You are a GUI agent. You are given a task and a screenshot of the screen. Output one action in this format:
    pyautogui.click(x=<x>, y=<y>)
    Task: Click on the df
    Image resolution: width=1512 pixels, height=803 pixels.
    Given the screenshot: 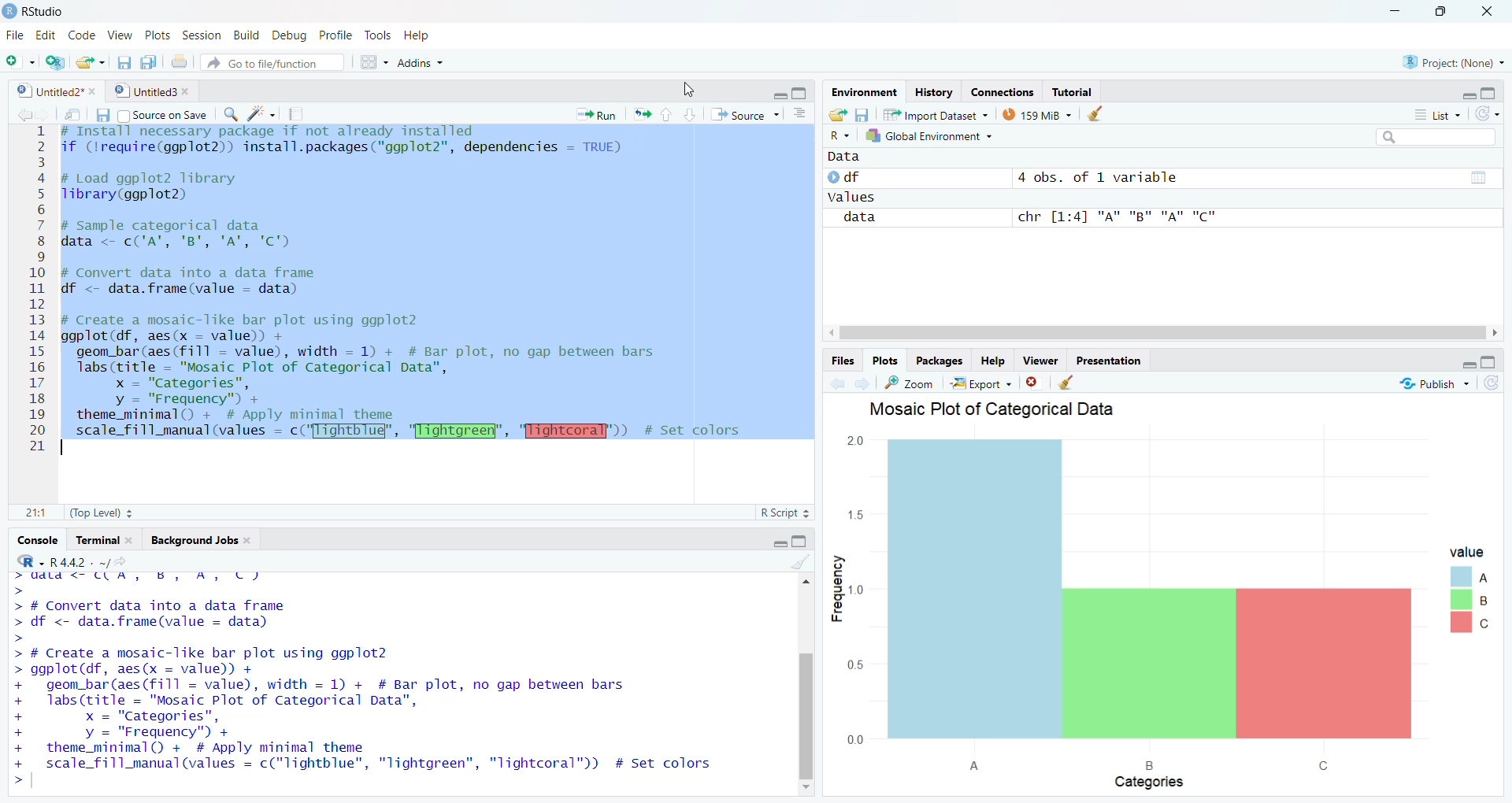 What is the action you would take?
    pyautogui.click(x=845, y=177)
    